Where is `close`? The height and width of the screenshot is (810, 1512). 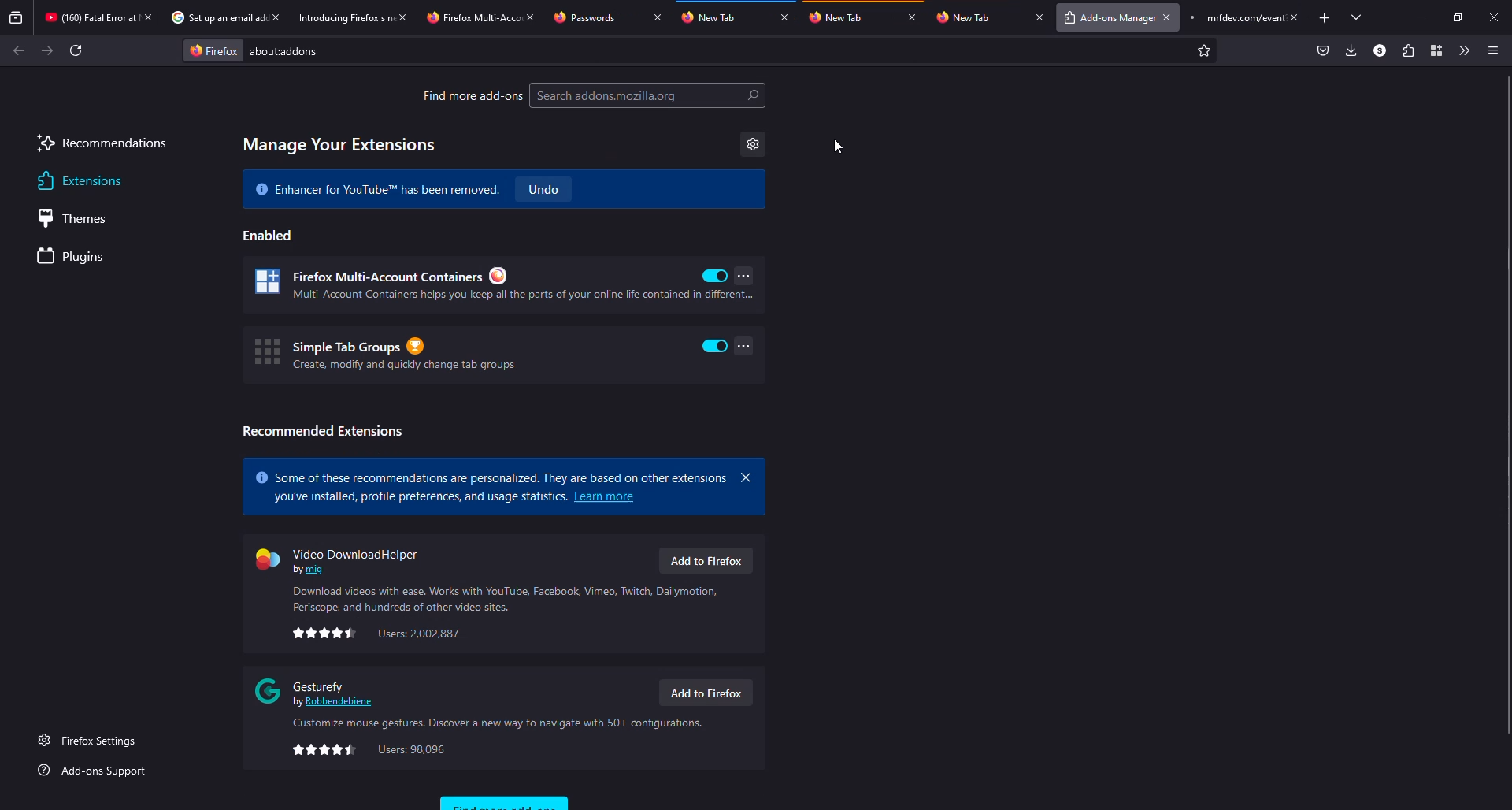 close is located at coordinates (784, 17).